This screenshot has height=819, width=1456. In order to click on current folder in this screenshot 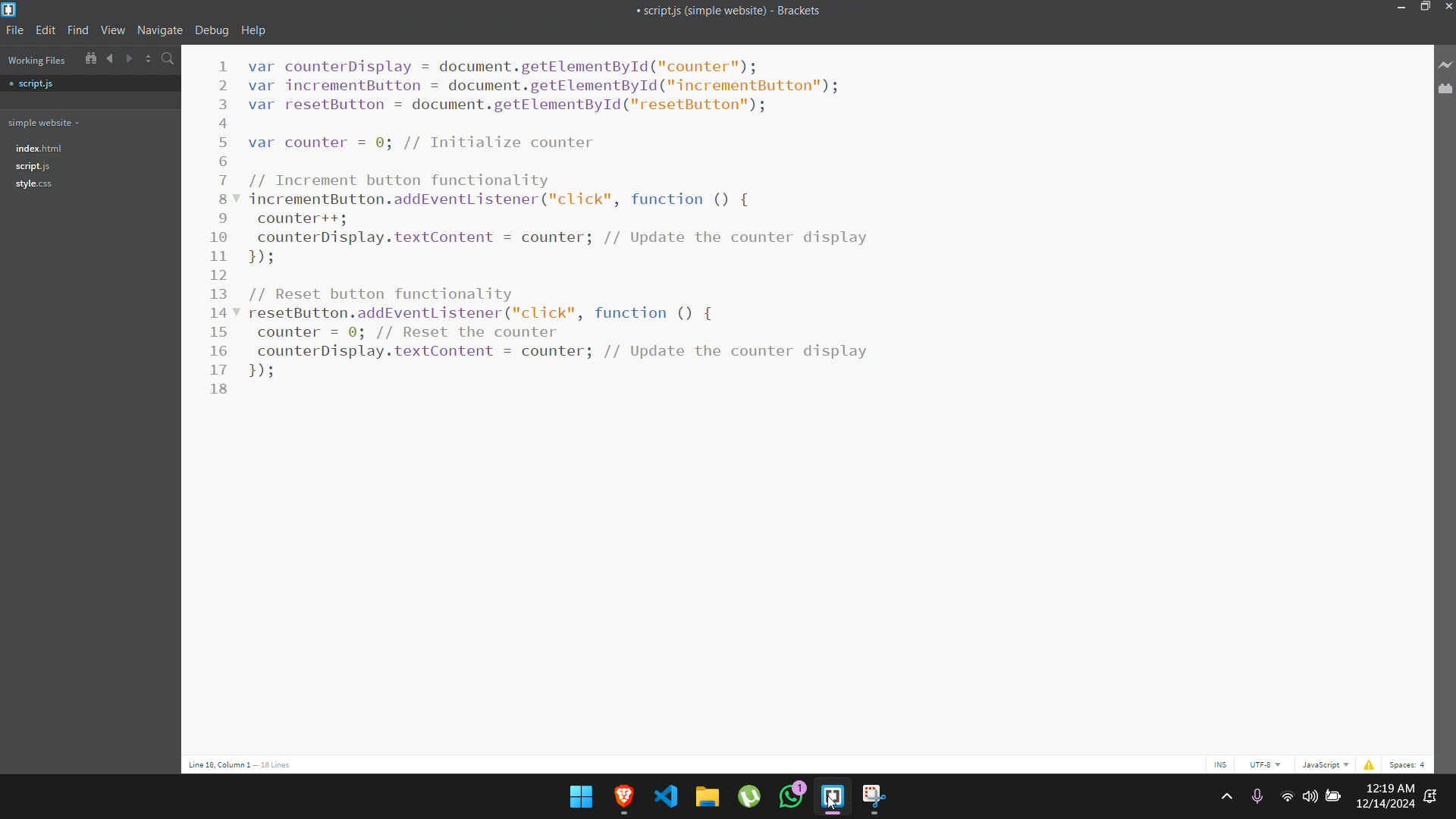, I will do `click(44, 122)`.